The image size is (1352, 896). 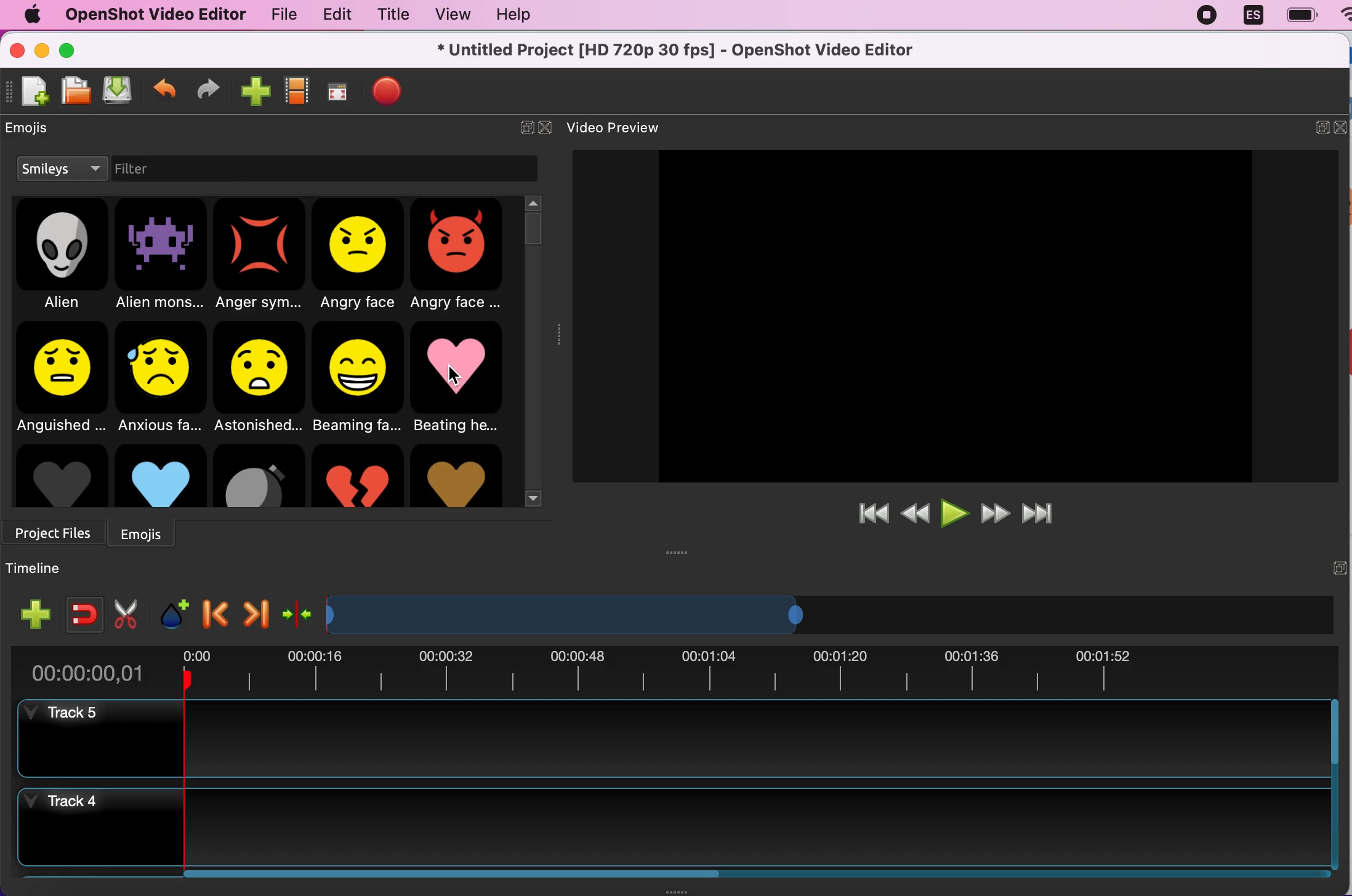 I want to click on open file, so click(x=72, y=92).